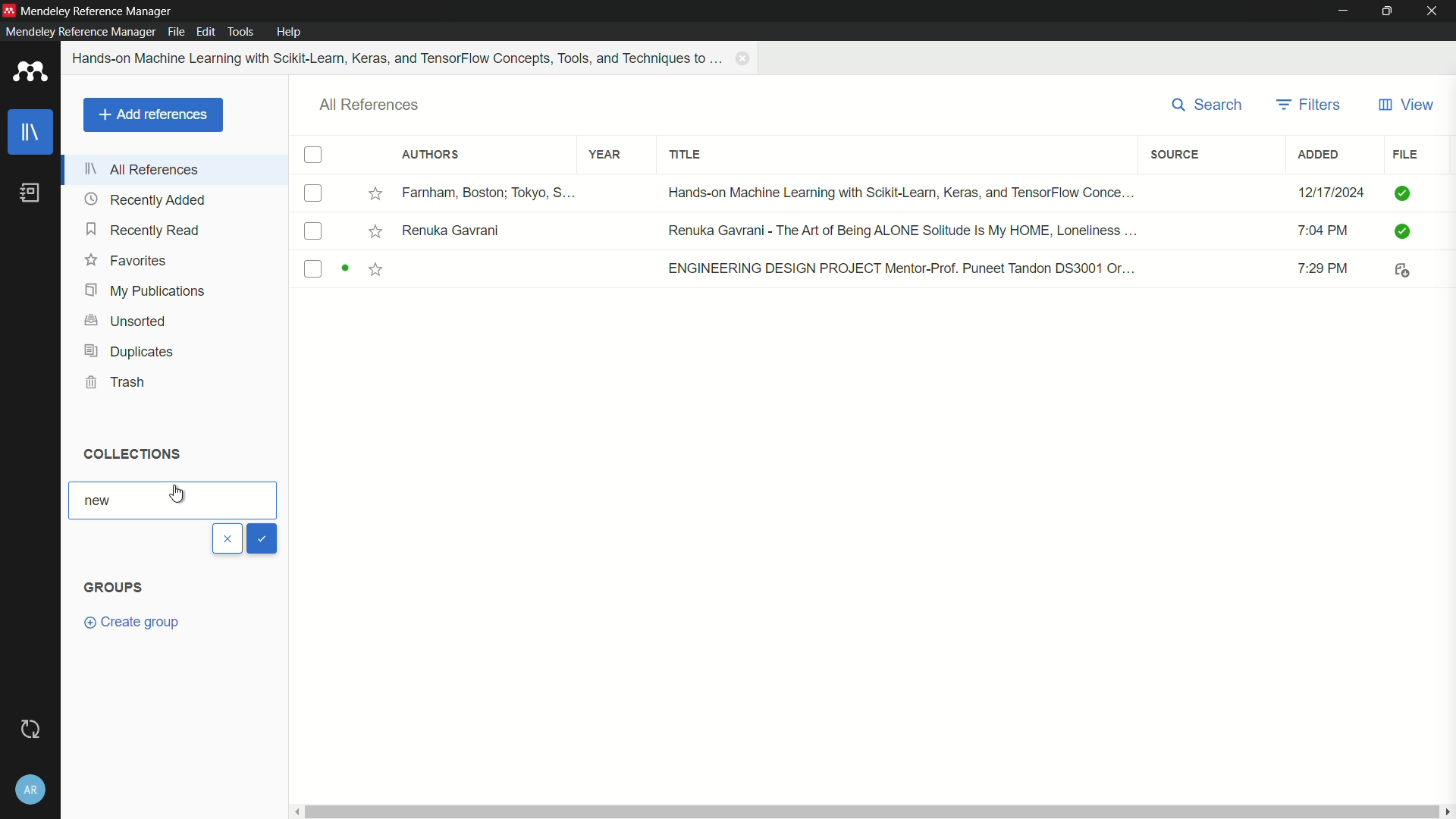 The image size is (1456, 819). Describe the element at coordinates (429, 155) in the screenshot. I see `authors` at that location.